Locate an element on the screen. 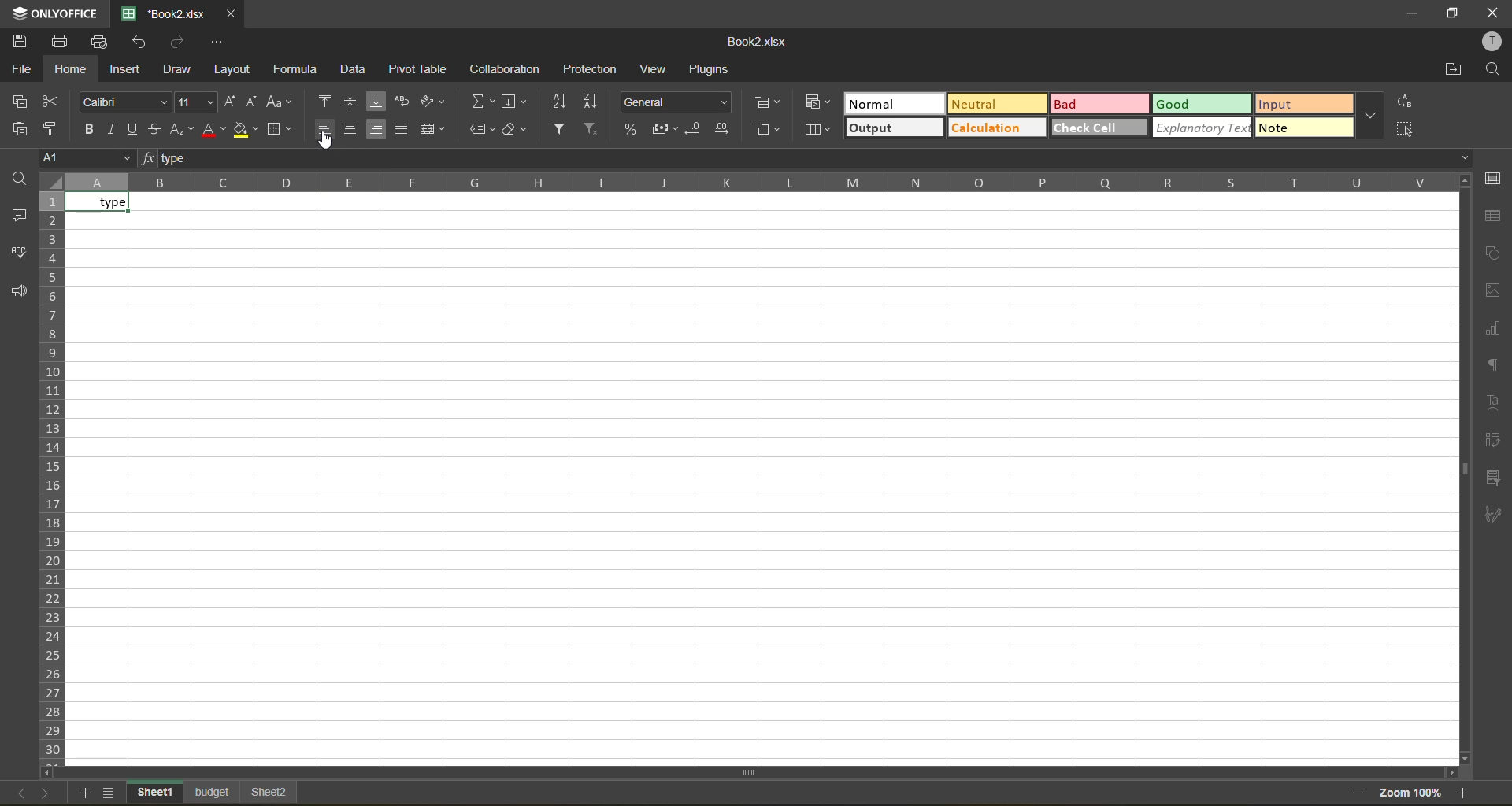  align top is located at coordinates (326, 102).